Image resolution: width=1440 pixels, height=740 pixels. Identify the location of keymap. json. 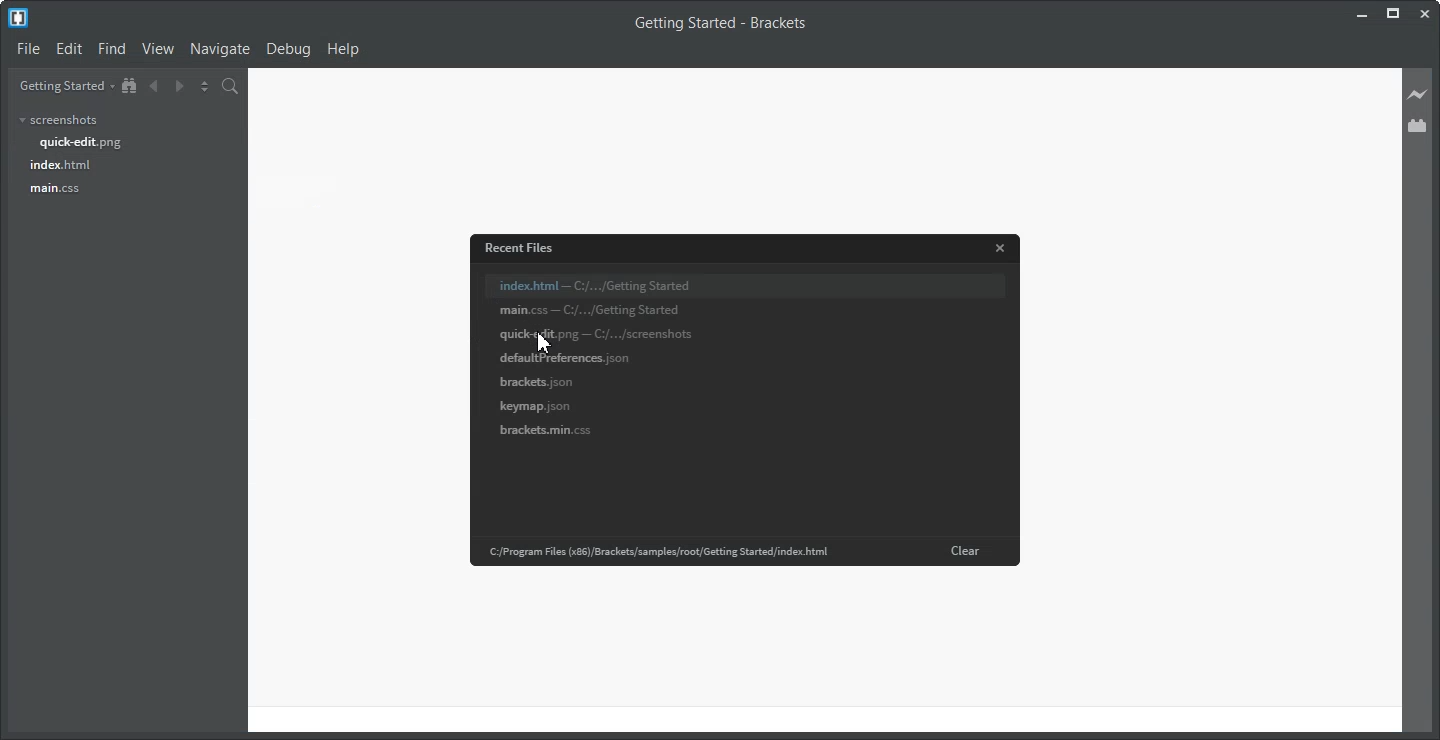
(535, 407).